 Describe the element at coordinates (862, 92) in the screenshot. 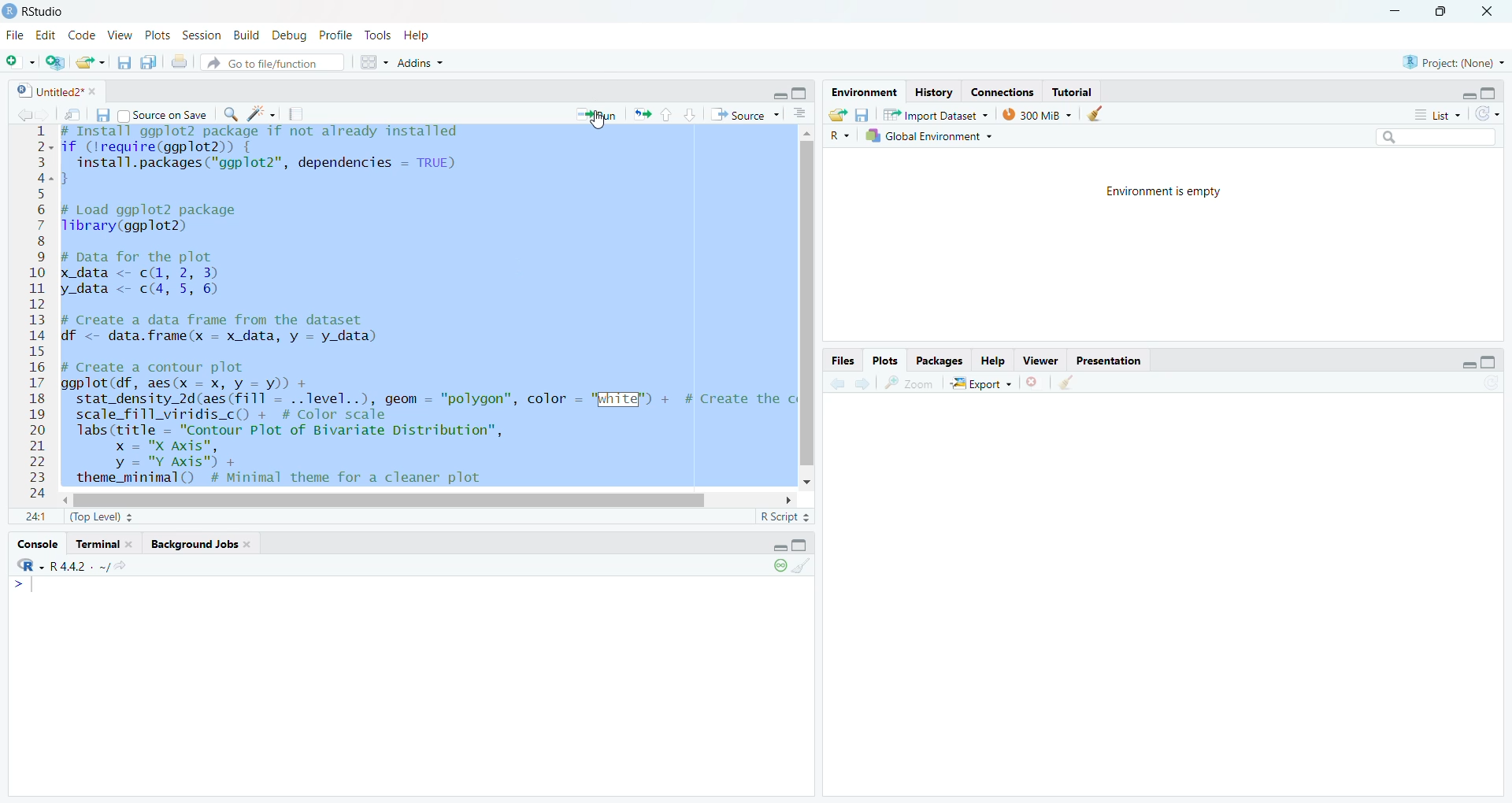

I see `Environment` at that location.